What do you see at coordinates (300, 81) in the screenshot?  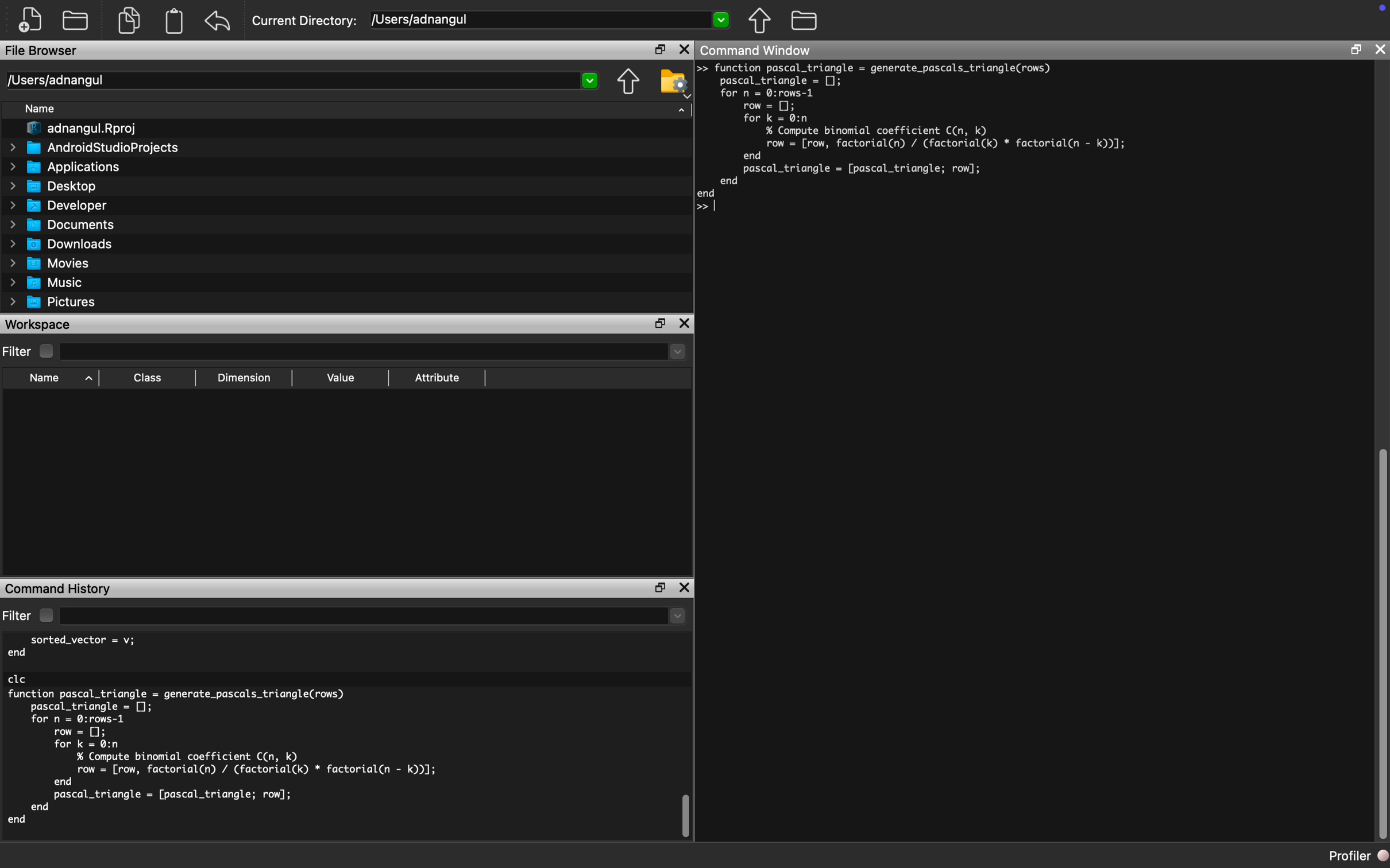 I see `/Users/adnangul ` at bounding box center [300, 81].